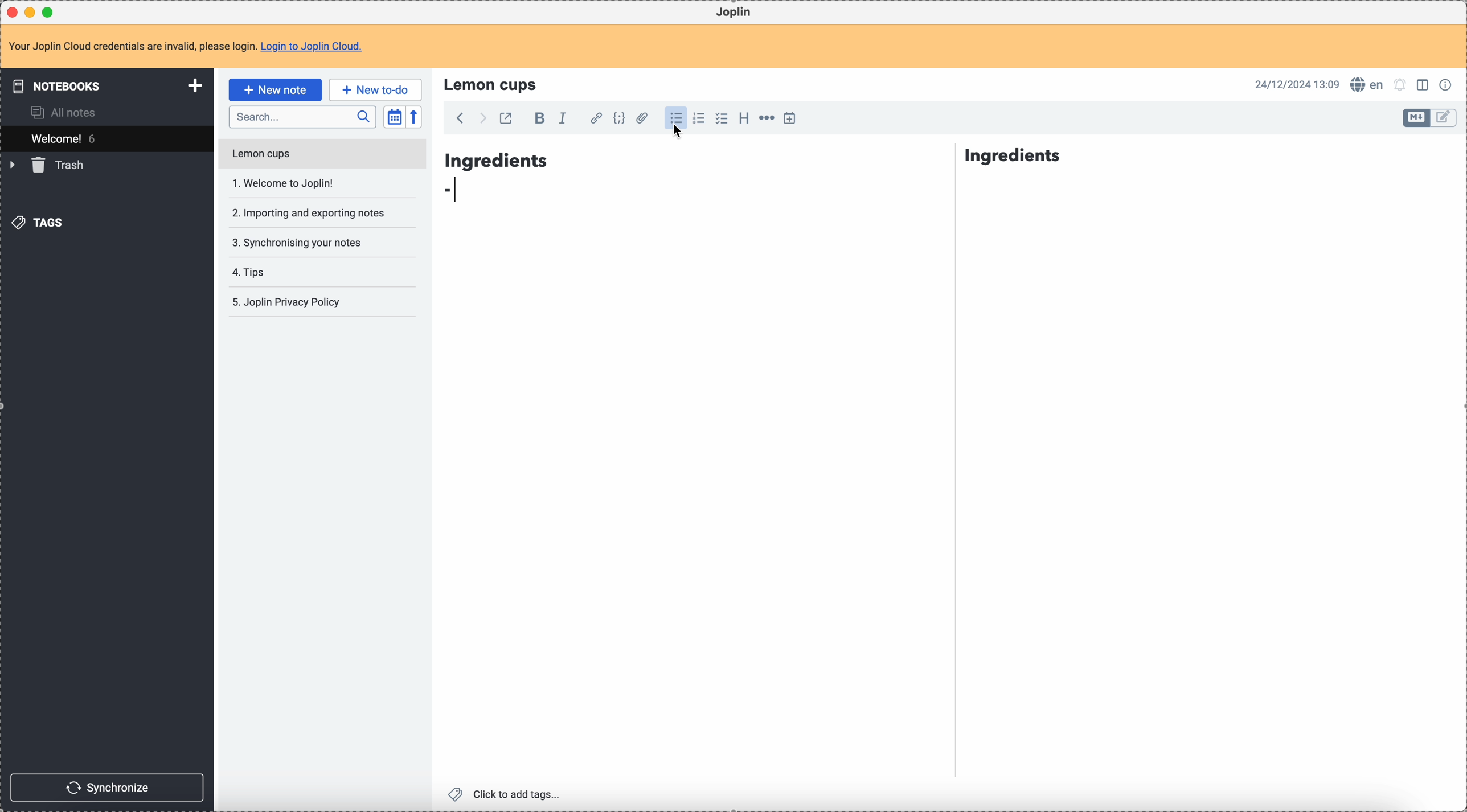 The image size is (1467, 812). What do you see at coordinates (274, 89) in the screenshot?
I see `click on new note` at bounding box center [274, 89].